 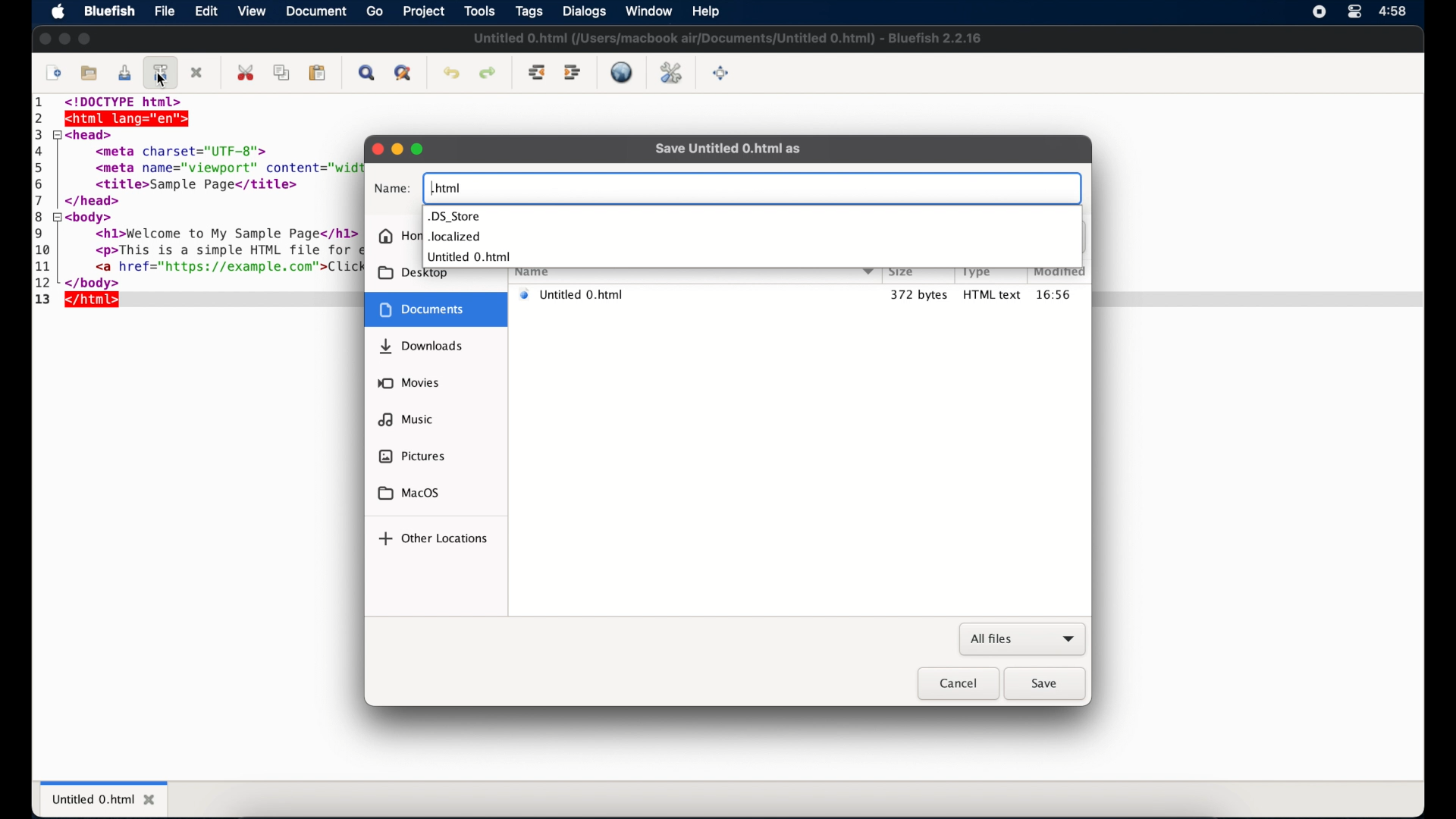 What do you see at coordinates (247, 72) in the screenshot?
I see `cut` at bounding box center [247, 72].